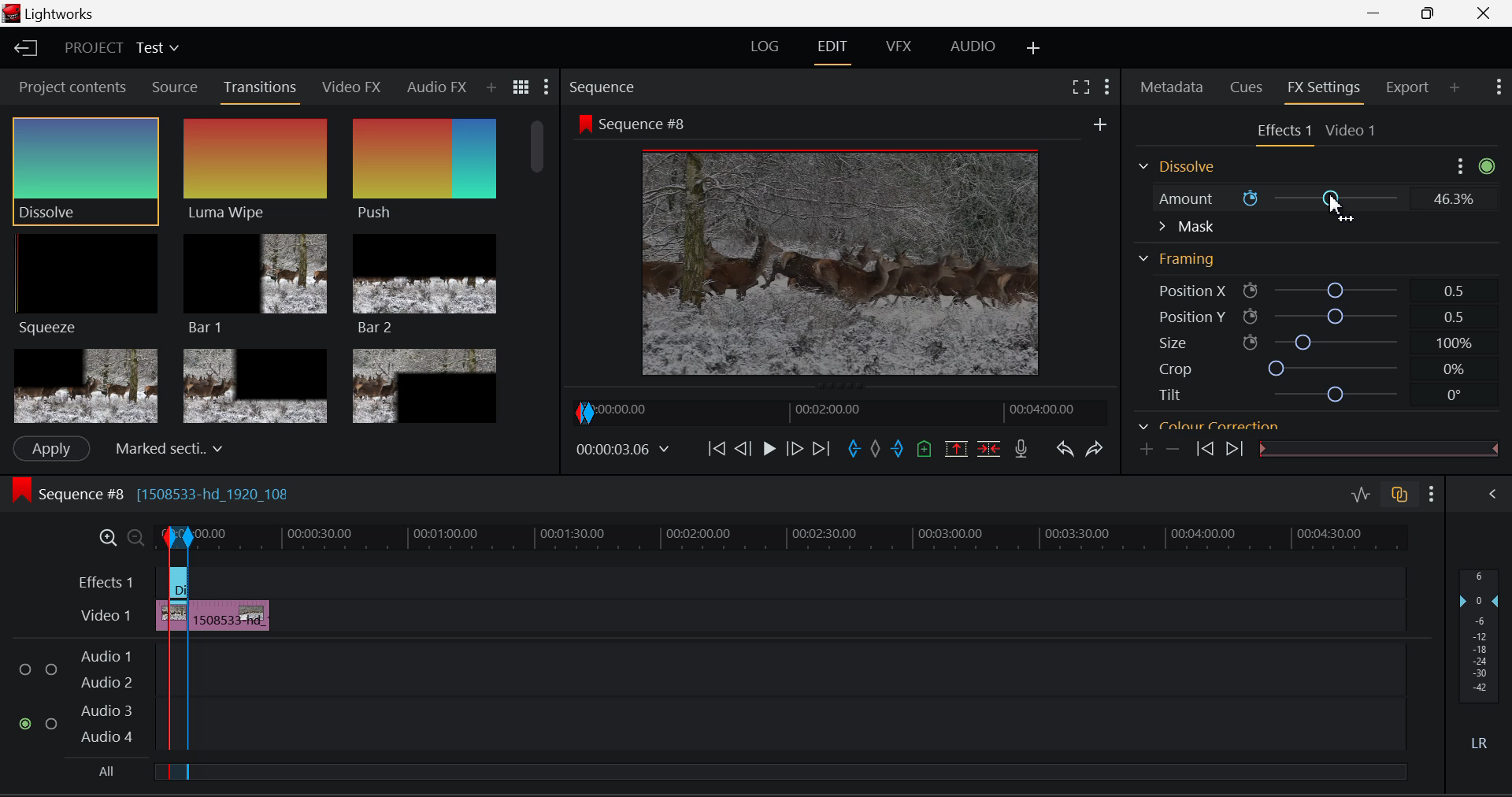 The image size is (1512, 797). What do you see at coordinates (1489, 293) in the screenshot?
I see `Scroll Bar` at bounding box center [1489, 293].